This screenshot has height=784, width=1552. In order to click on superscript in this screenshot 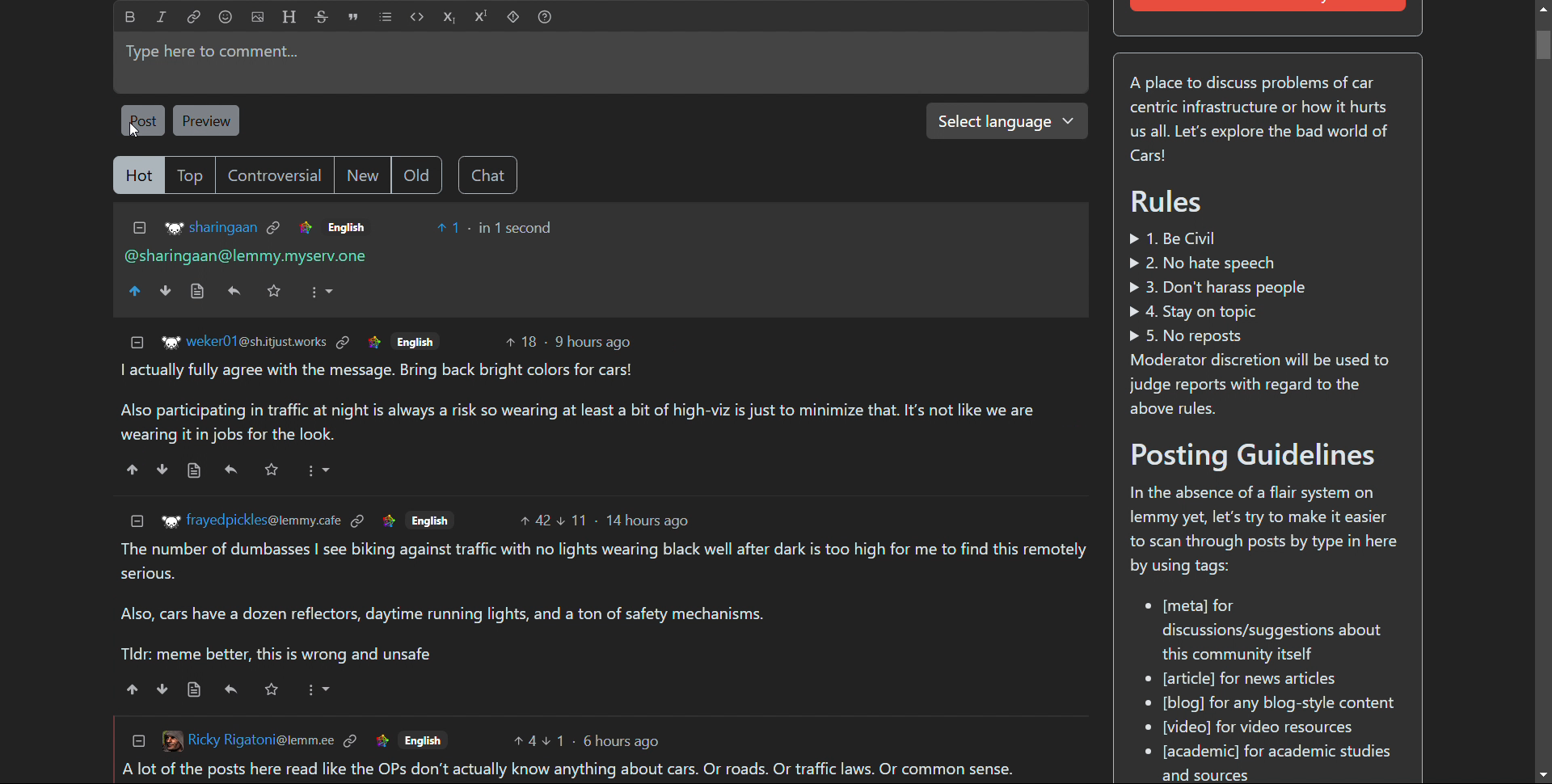, I will do `click(482, 17)`.